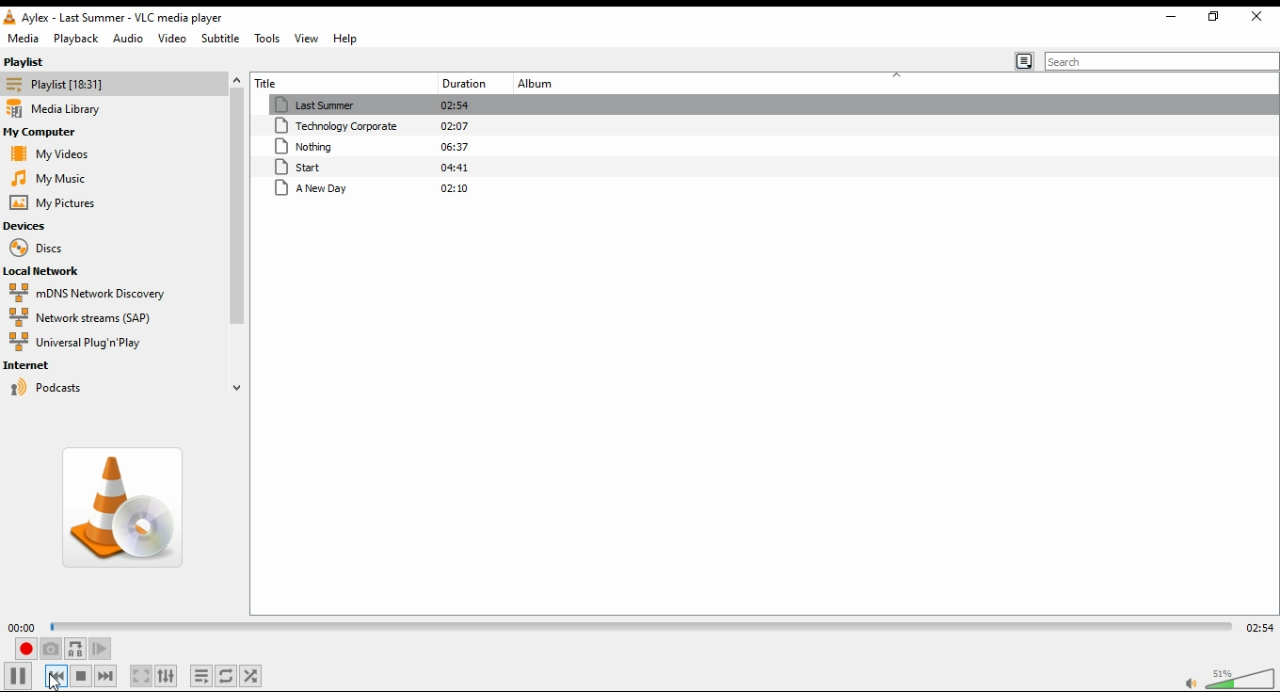 The height and width of the screenshot is (692, 1280). What do you see at coordinates (81, 676) in the screenshot?
I see `stop` at bounding box center [81, 676].